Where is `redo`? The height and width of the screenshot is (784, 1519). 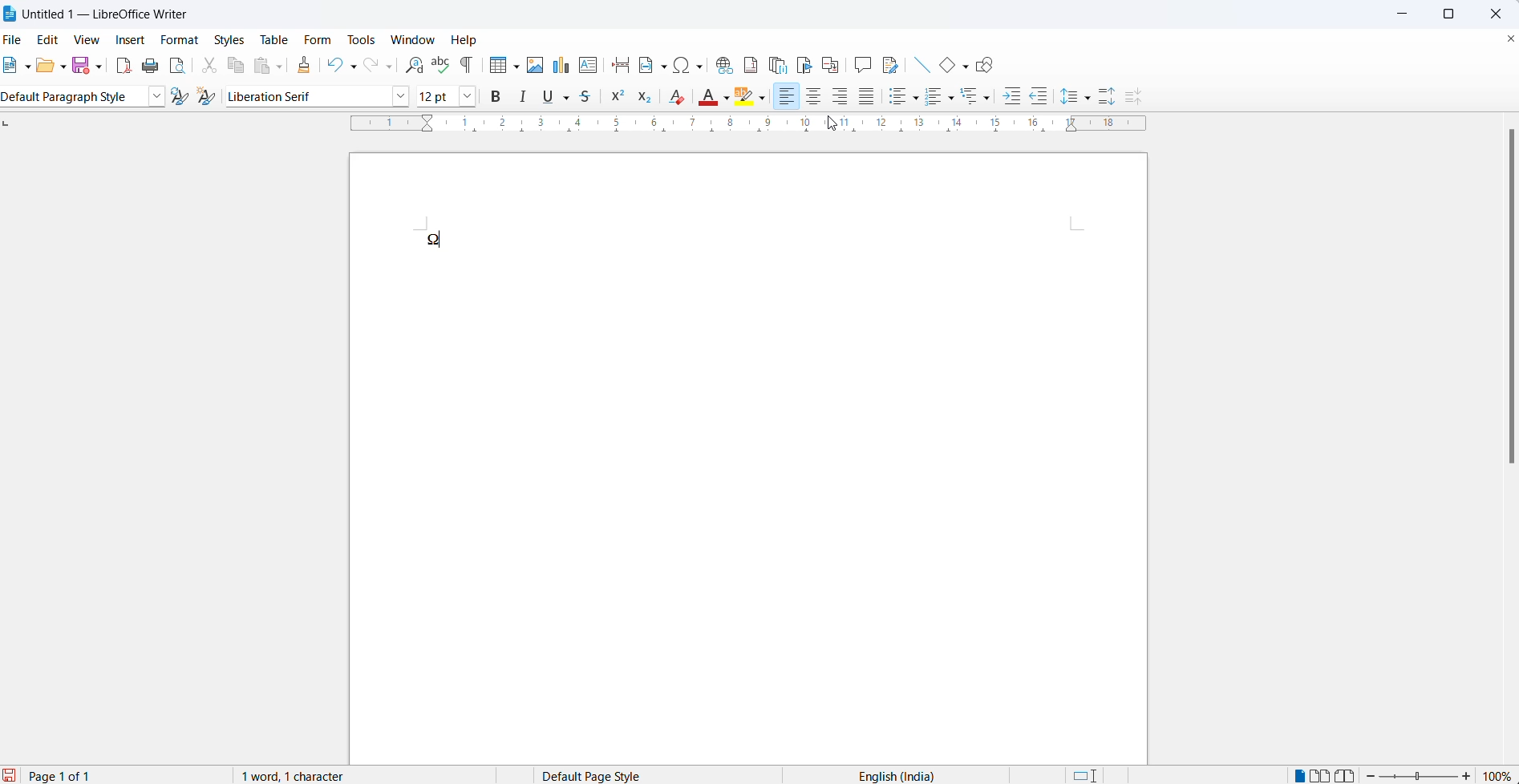
redo is located at coordinates (370, 66).